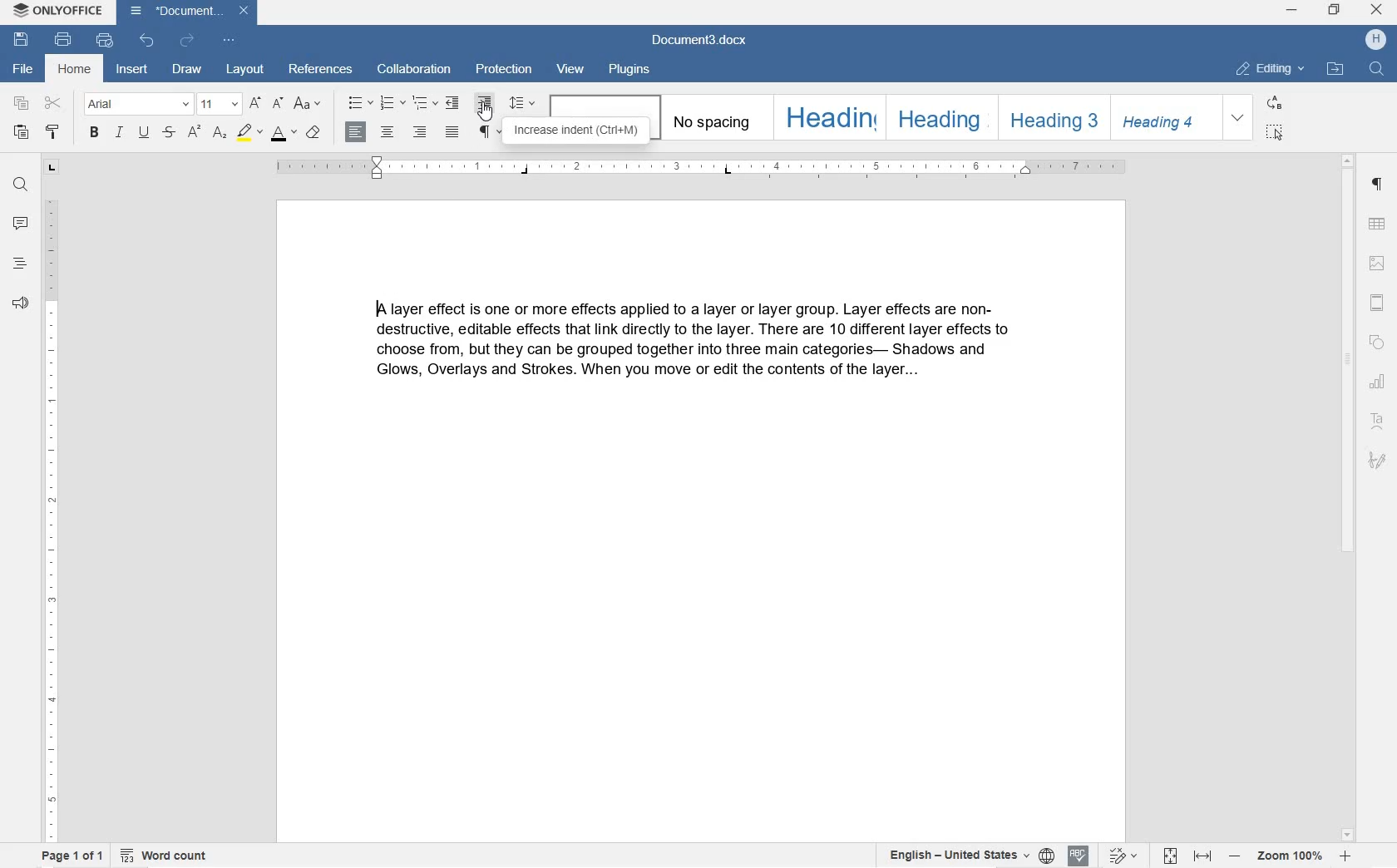 Image resolution: width=1397 pixels, height=868 pixels. I want to click on DECREASE INDENT, so click(452, 104).